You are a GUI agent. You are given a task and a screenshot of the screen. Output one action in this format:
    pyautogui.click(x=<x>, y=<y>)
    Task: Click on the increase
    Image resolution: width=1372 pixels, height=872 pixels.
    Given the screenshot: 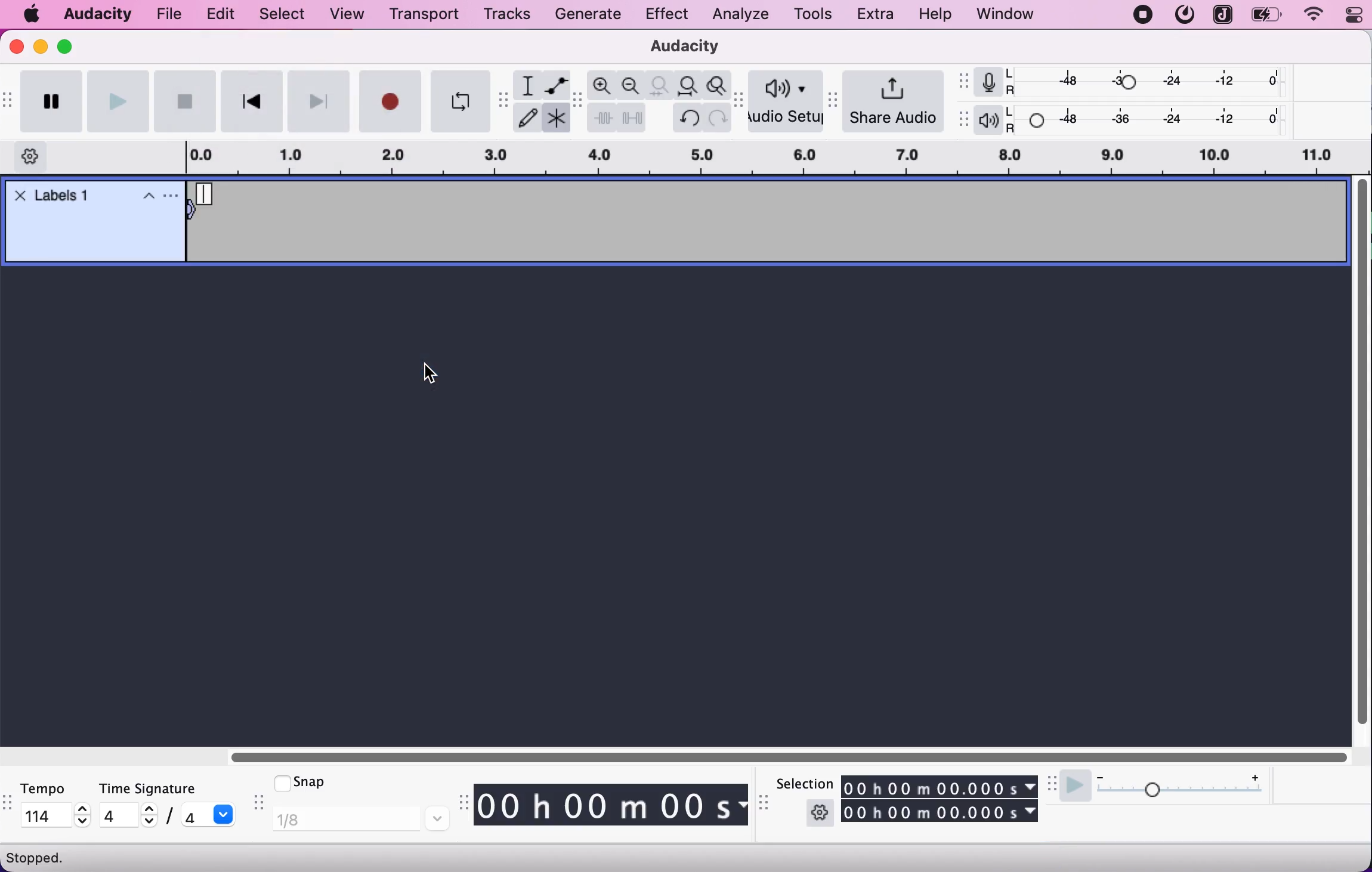 What is the action you would take?
    pyautogui.click(x=1254, y=775)
    